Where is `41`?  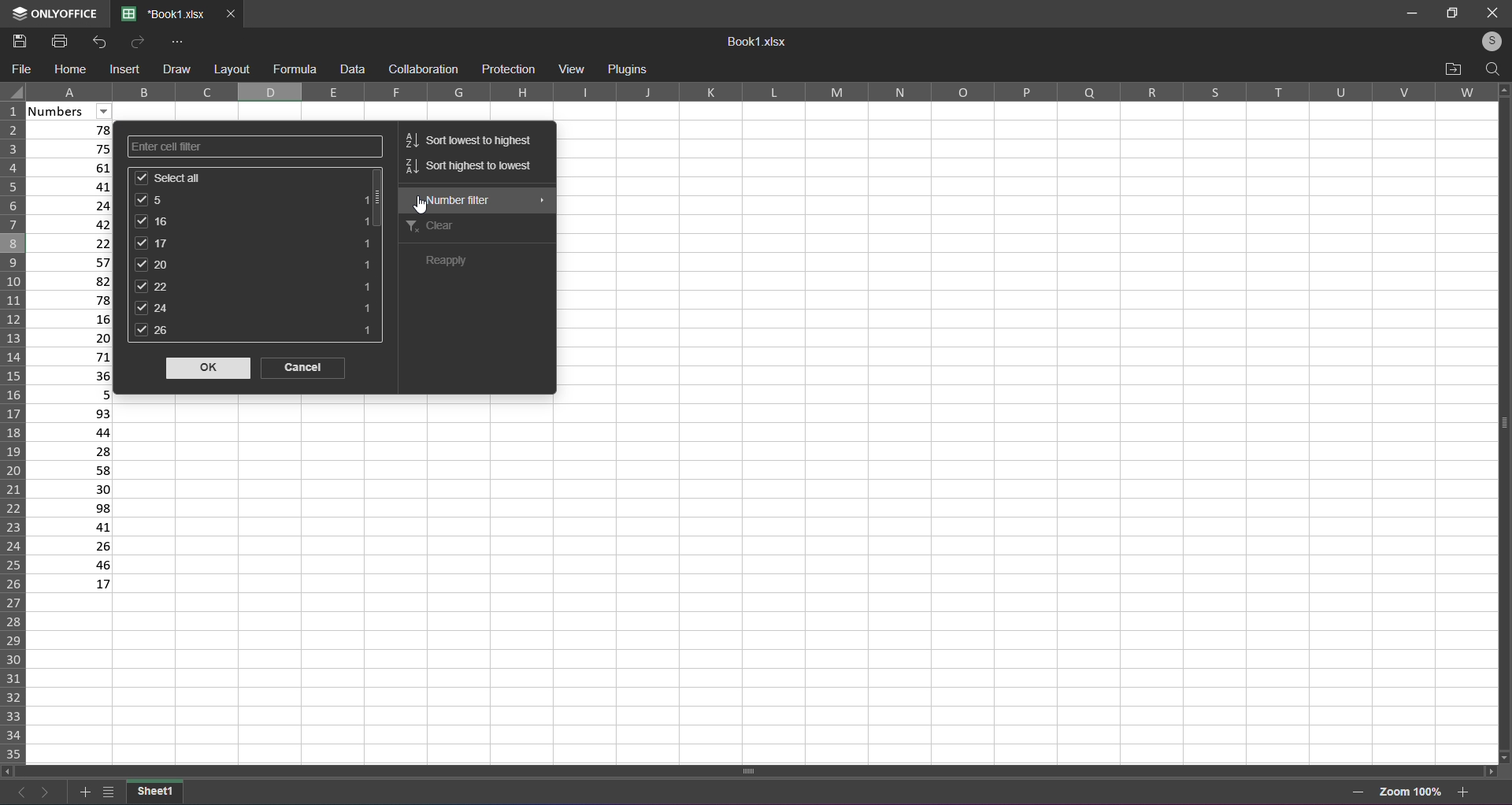
41 is located at coordinates (73, 185).